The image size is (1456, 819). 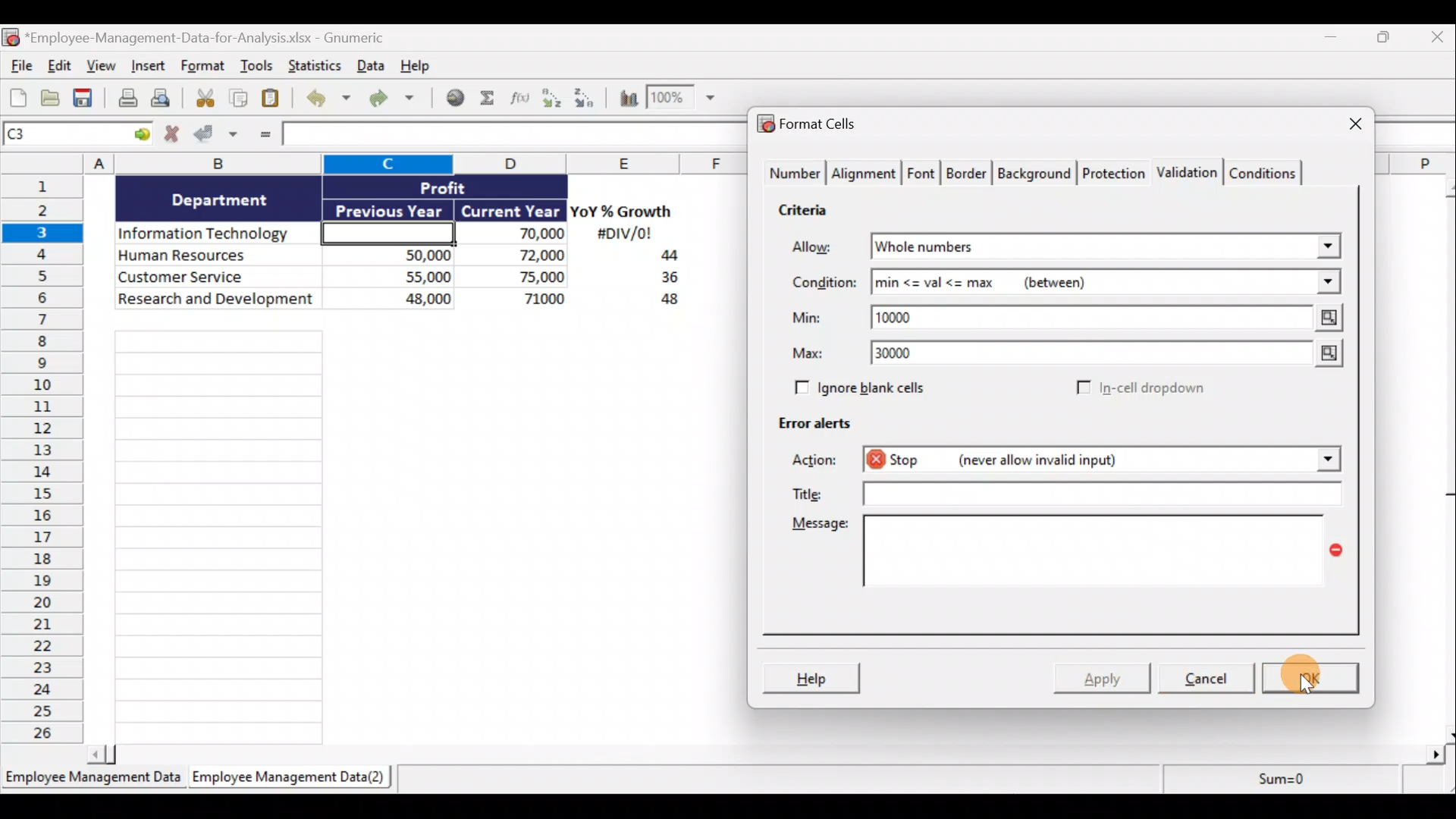 I want to click on 36, so click(x=664, y=280).